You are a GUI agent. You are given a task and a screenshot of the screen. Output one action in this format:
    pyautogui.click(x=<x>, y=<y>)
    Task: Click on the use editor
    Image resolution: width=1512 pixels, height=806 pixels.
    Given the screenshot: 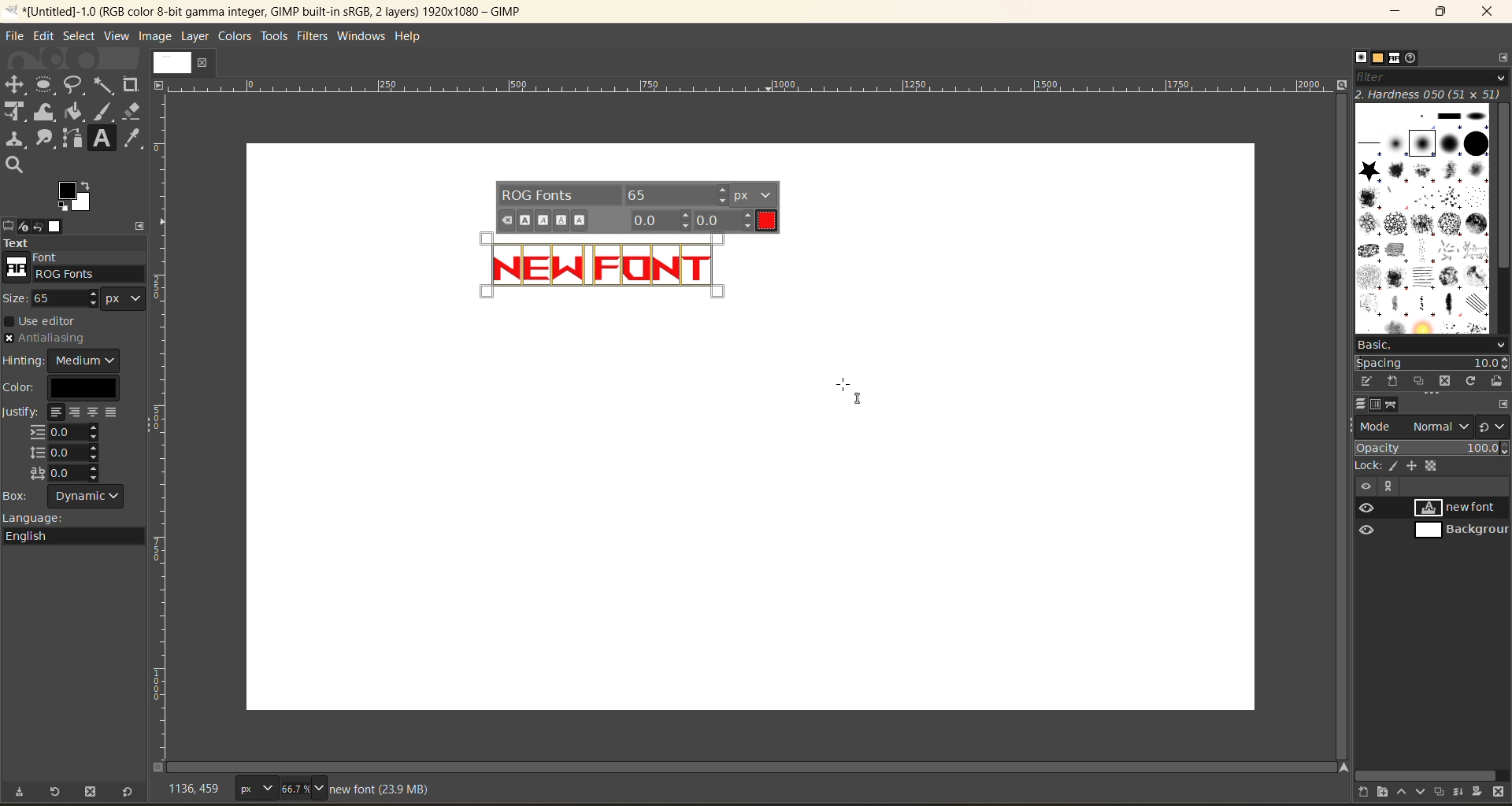 What is the action you would take?
    pyautogui.click(x=48, y=321)
    